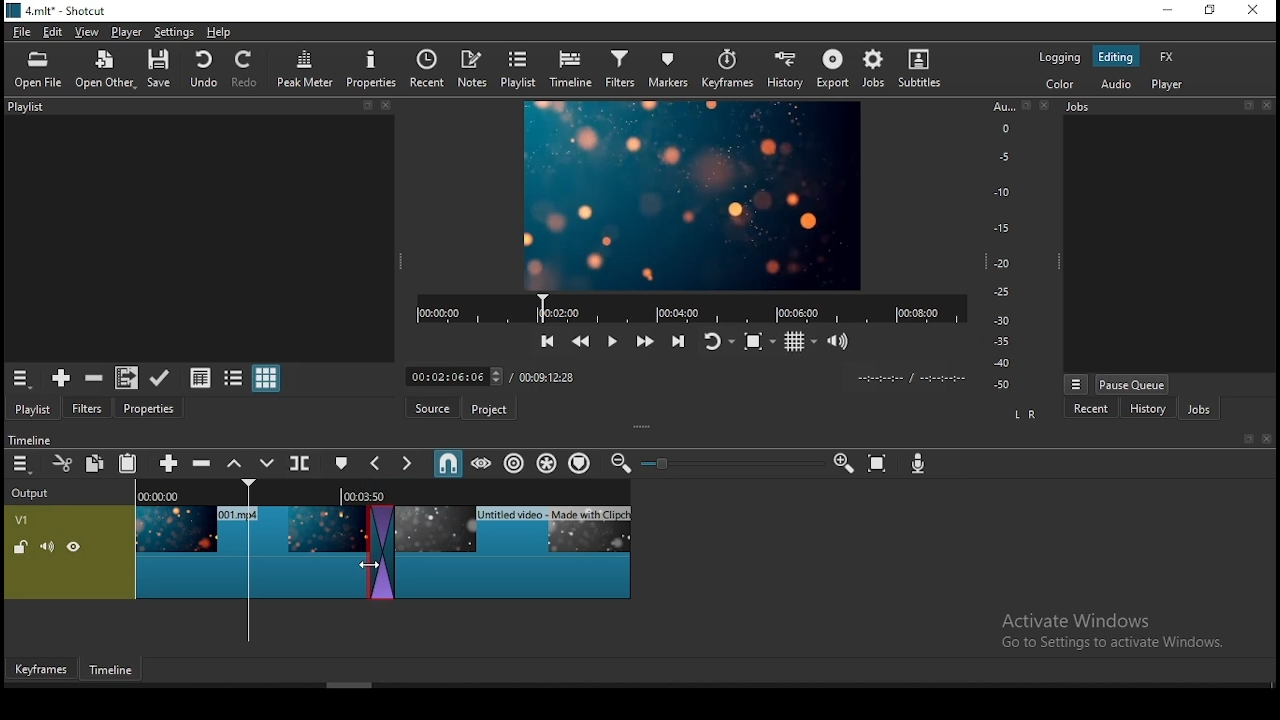  What do you see at coordinates (425, 70) in the screenshot?
I see `recent` at bounding box center [425, 70].